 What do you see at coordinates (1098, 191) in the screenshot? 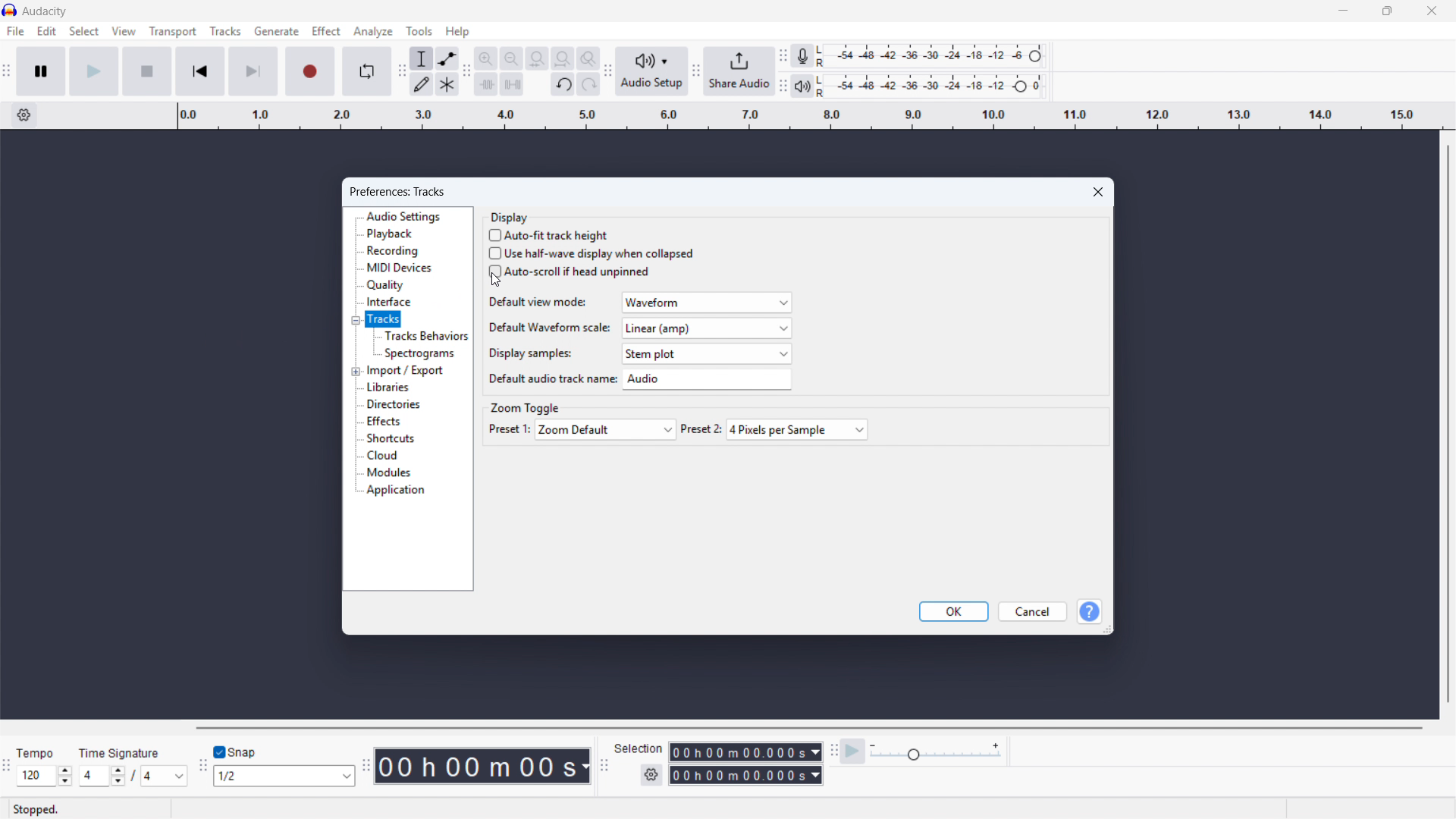
I see `close` at bounding box center [1098, 191].